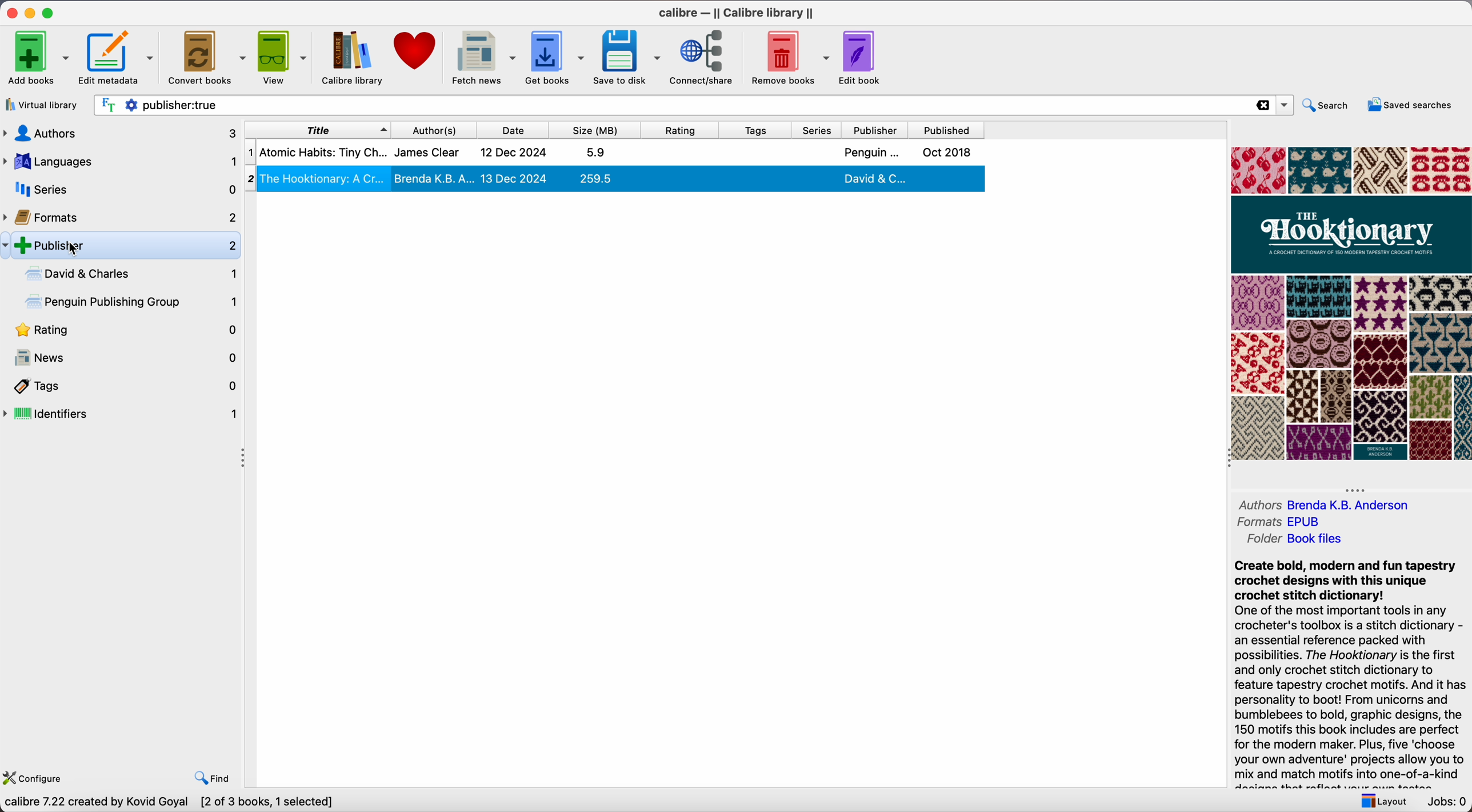 This screenshot has width=1472, height=812. Describe the element at coordinates (214, 777) in the screenshot. I see `find` at that location.